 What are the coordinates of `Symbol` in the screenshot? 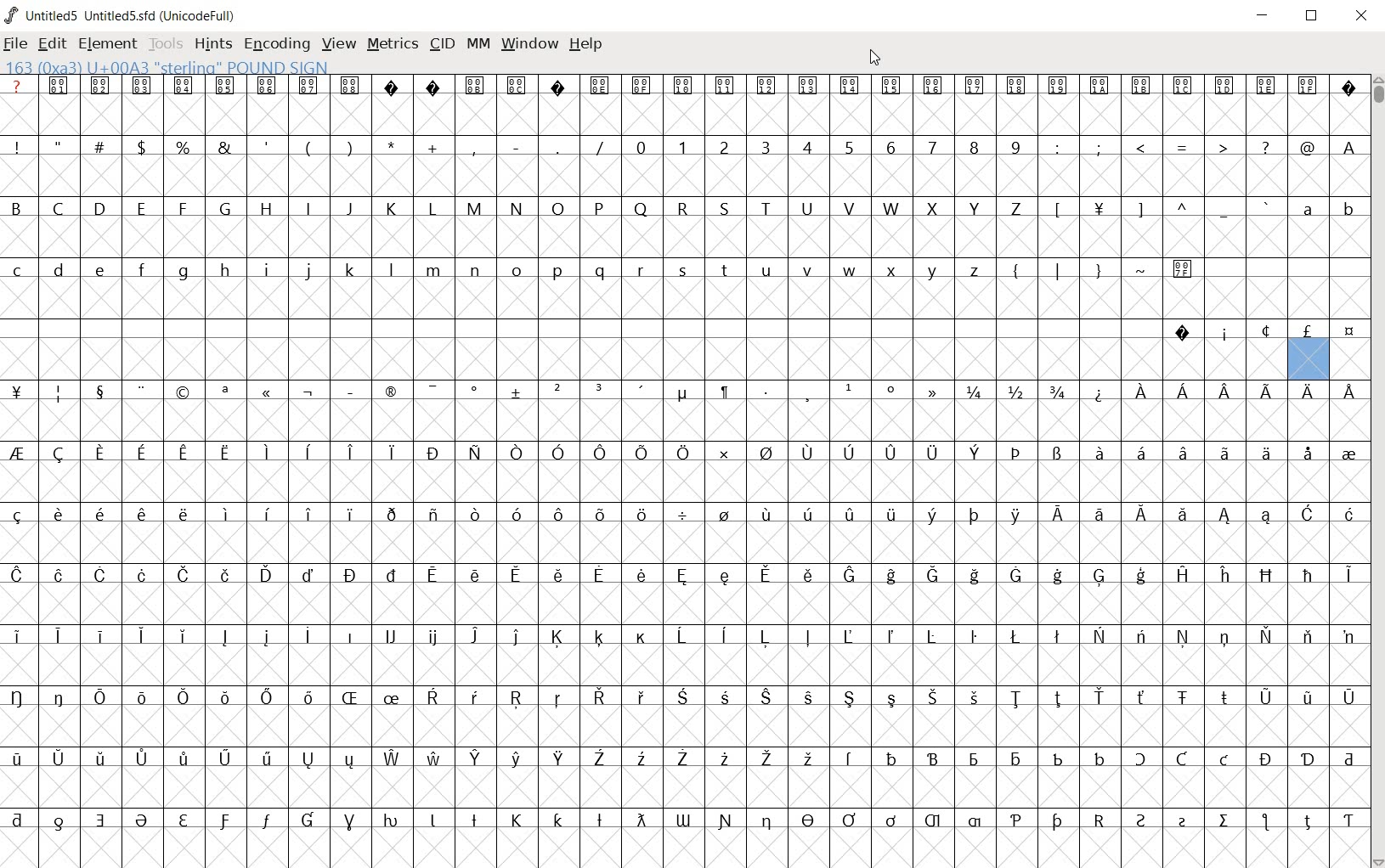 It's located at (517, 84).